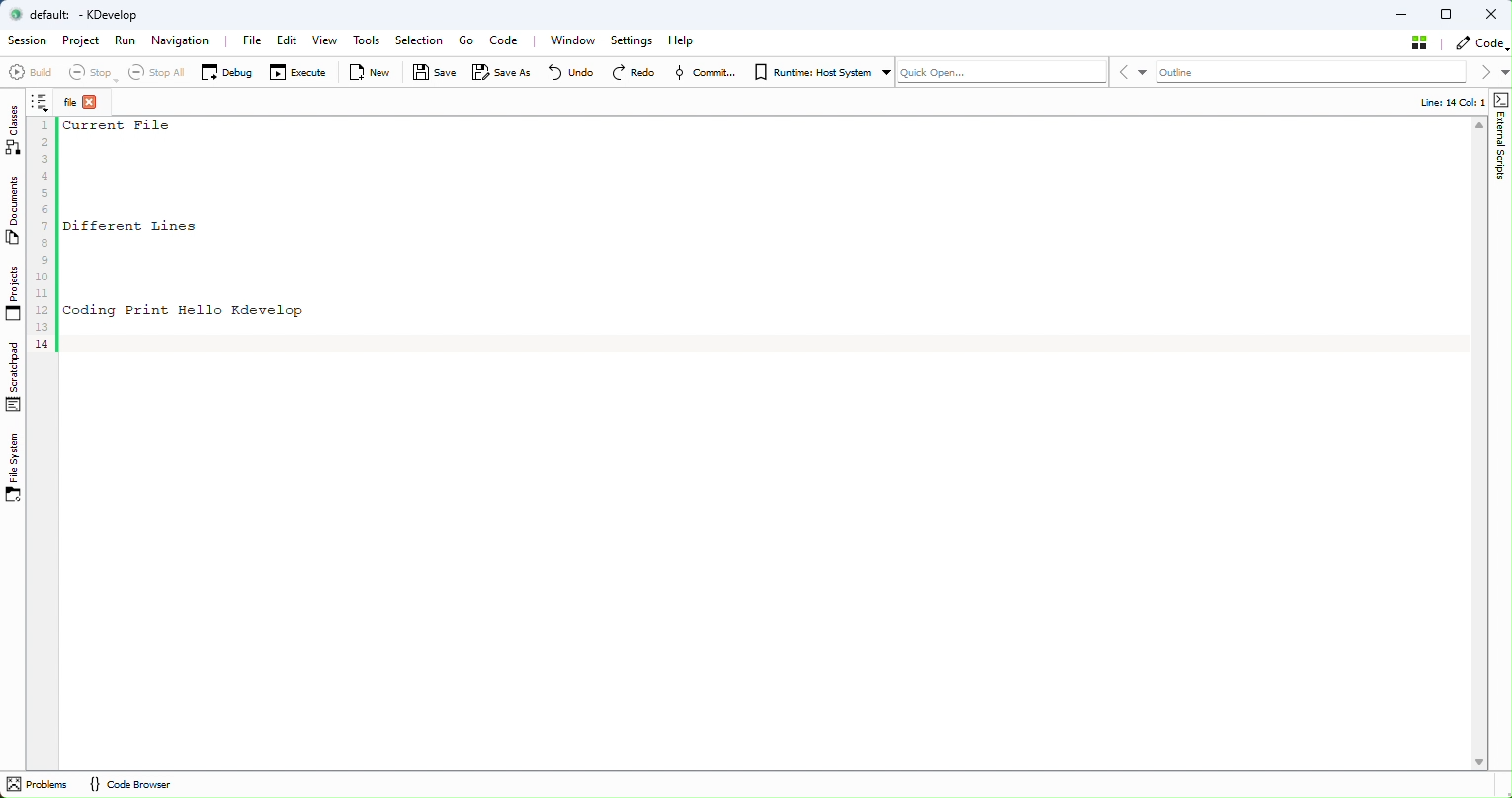 The width and height of the screenshot is (1512, 798). What do you see at coordinates (126, 41) in the screenshot?
I see `Run` at bounding box center [126, 41].